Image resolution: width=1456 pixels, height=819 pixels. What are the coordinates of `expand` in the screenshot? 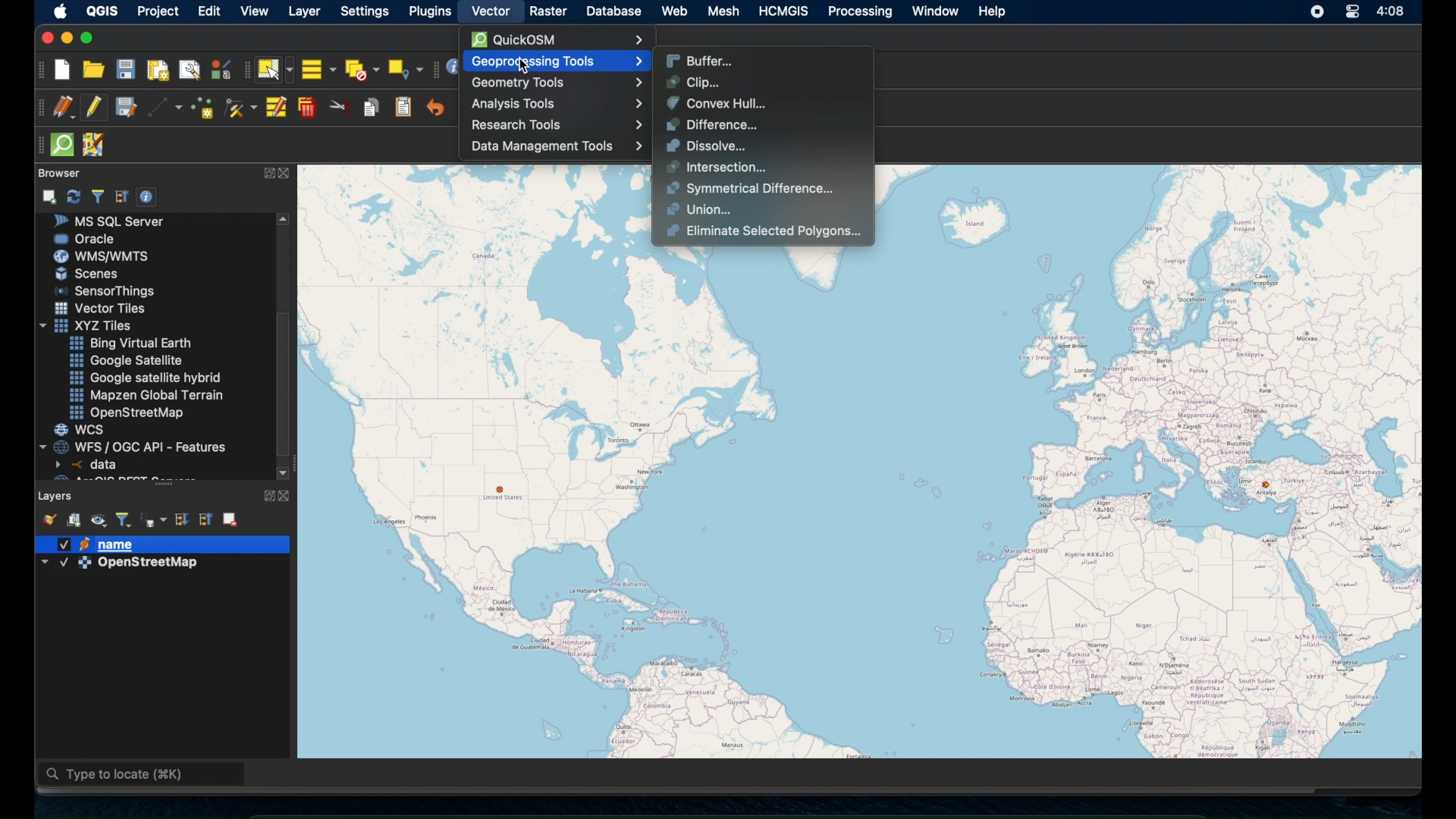 It's located at (265, 494).